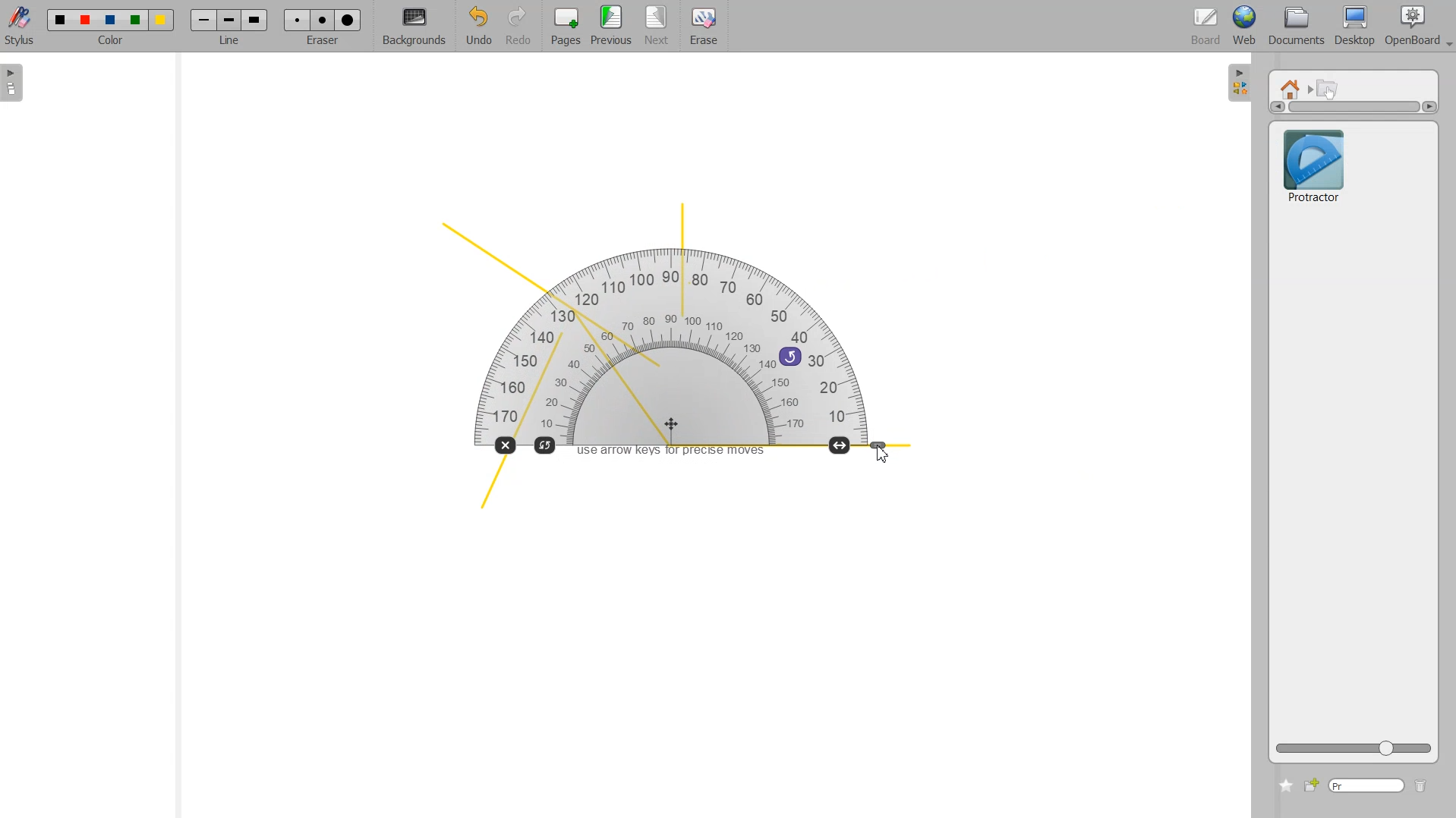  Describe the element at coordinates (476, 27) in the screenshot. I see `Undo` at that location.